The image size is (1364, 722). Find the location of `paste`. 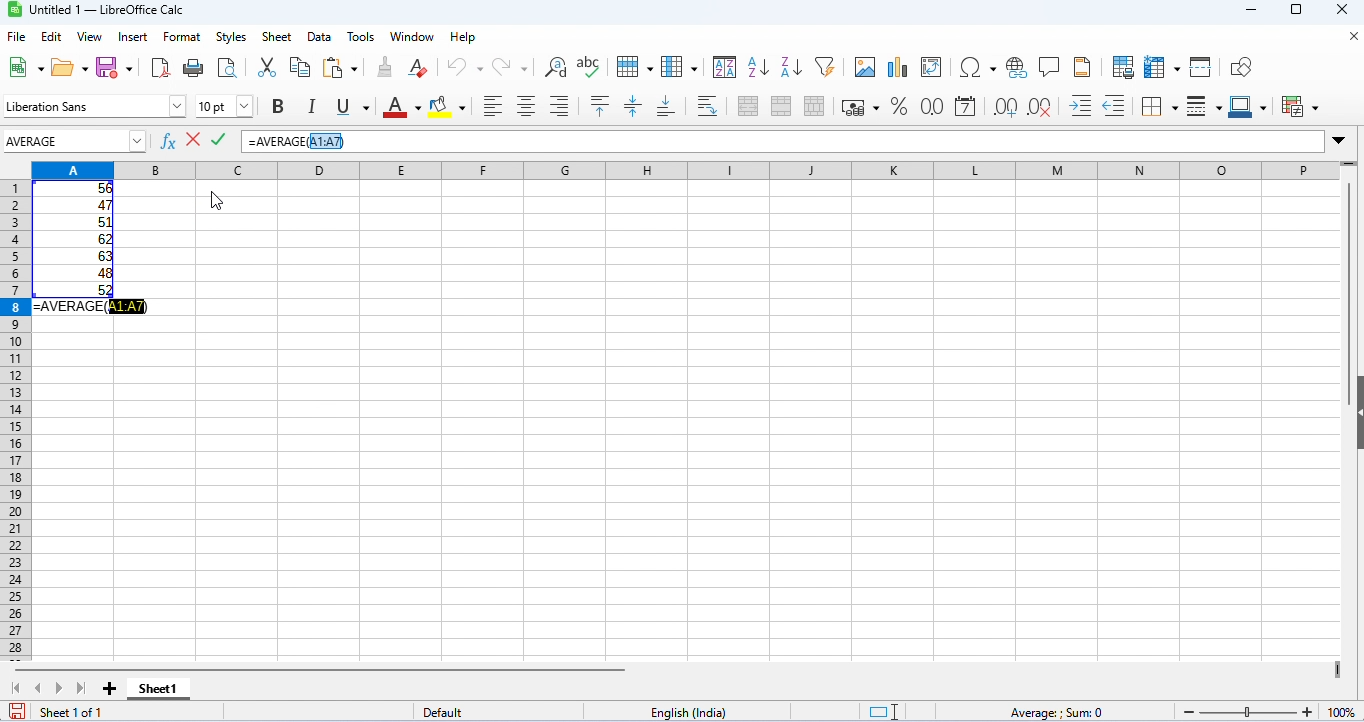

paste is located at coordinates (344, 68).